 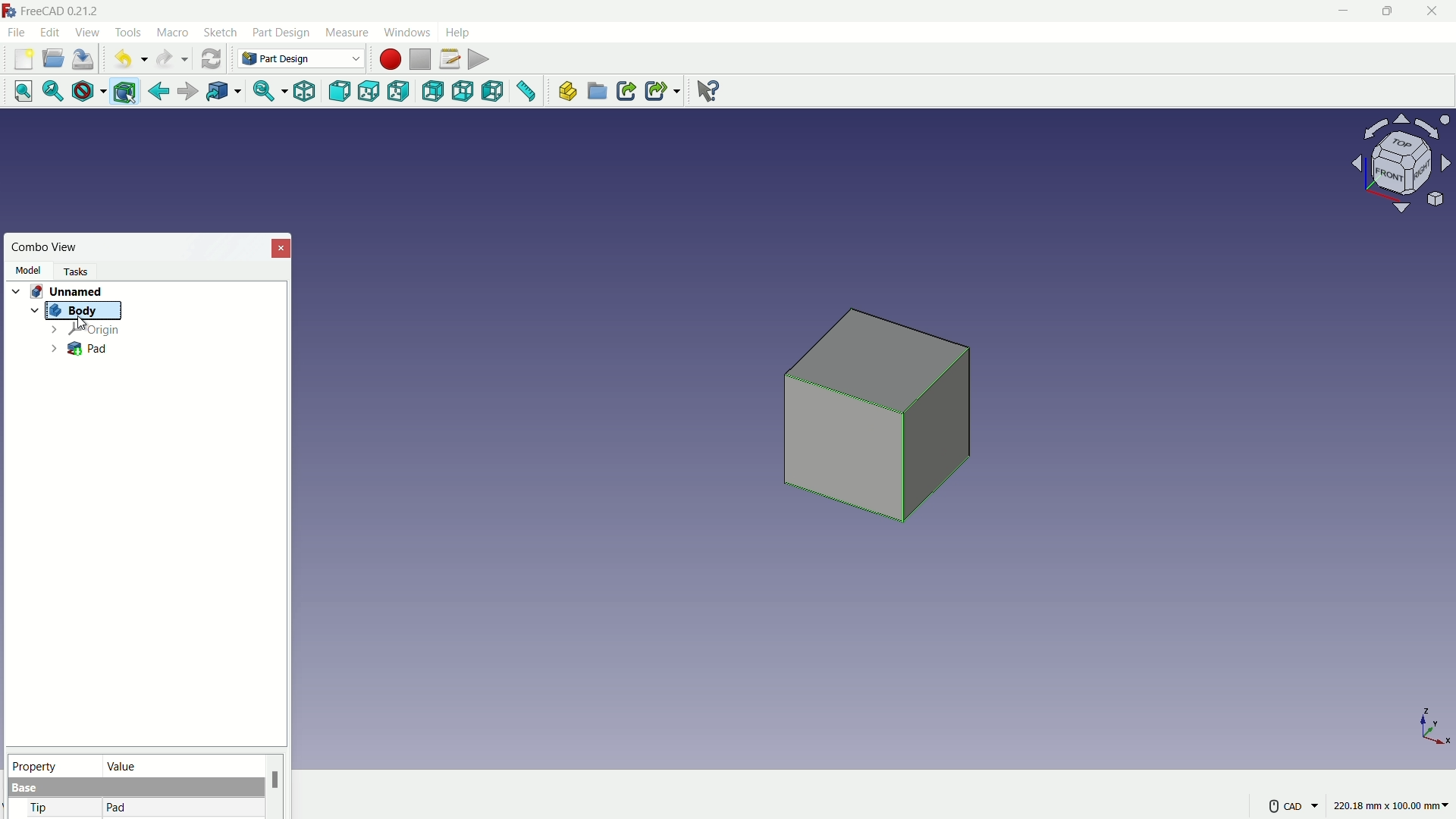 I want to click on file, so click(x=16, y=31).